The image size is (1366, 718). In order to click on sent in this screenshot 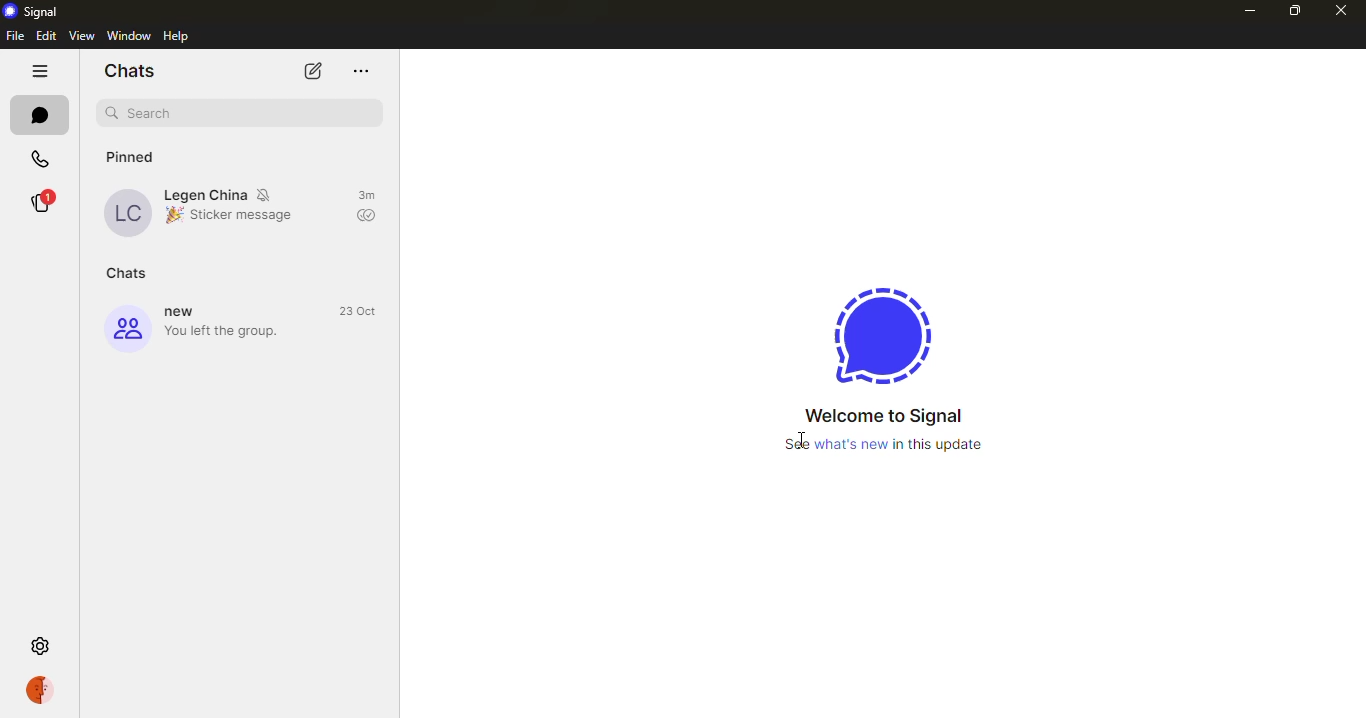, I will do `click(367, 217)`.